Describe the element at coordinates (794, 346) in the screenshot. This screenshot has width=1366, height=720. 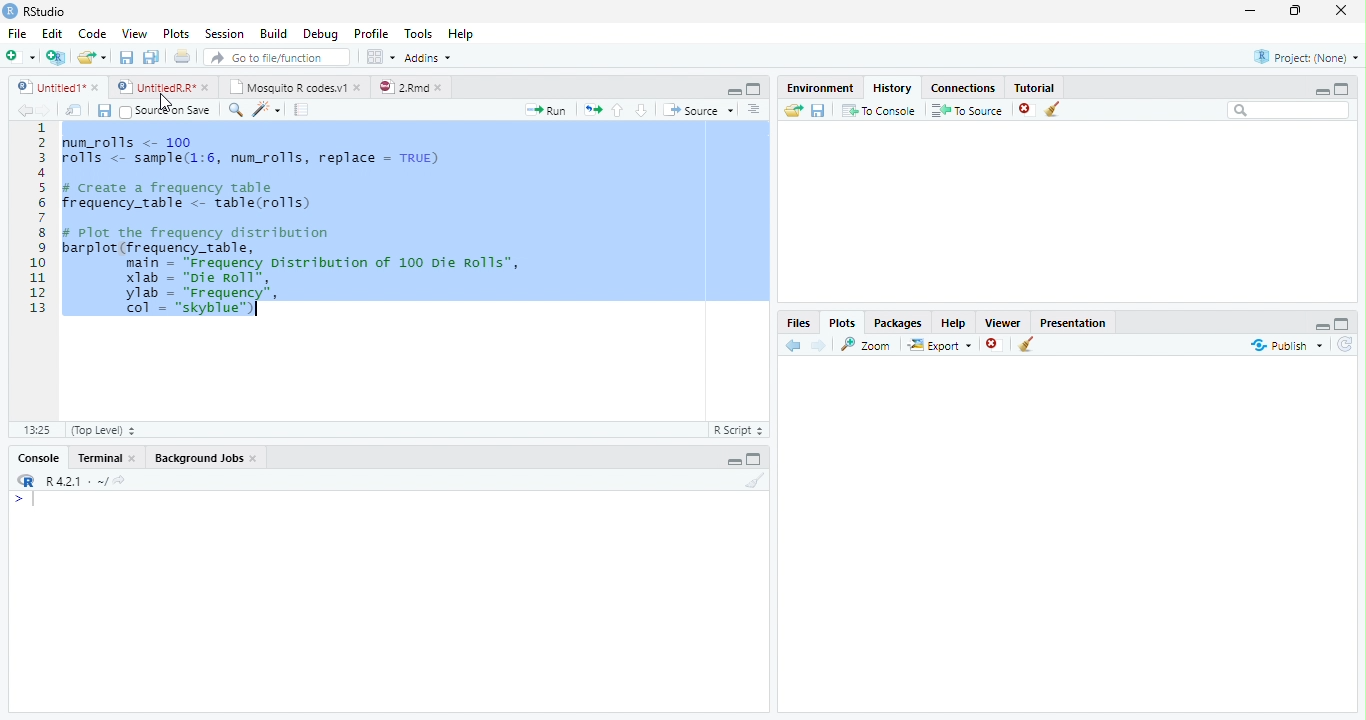
I see `Previous Slot` at that location.